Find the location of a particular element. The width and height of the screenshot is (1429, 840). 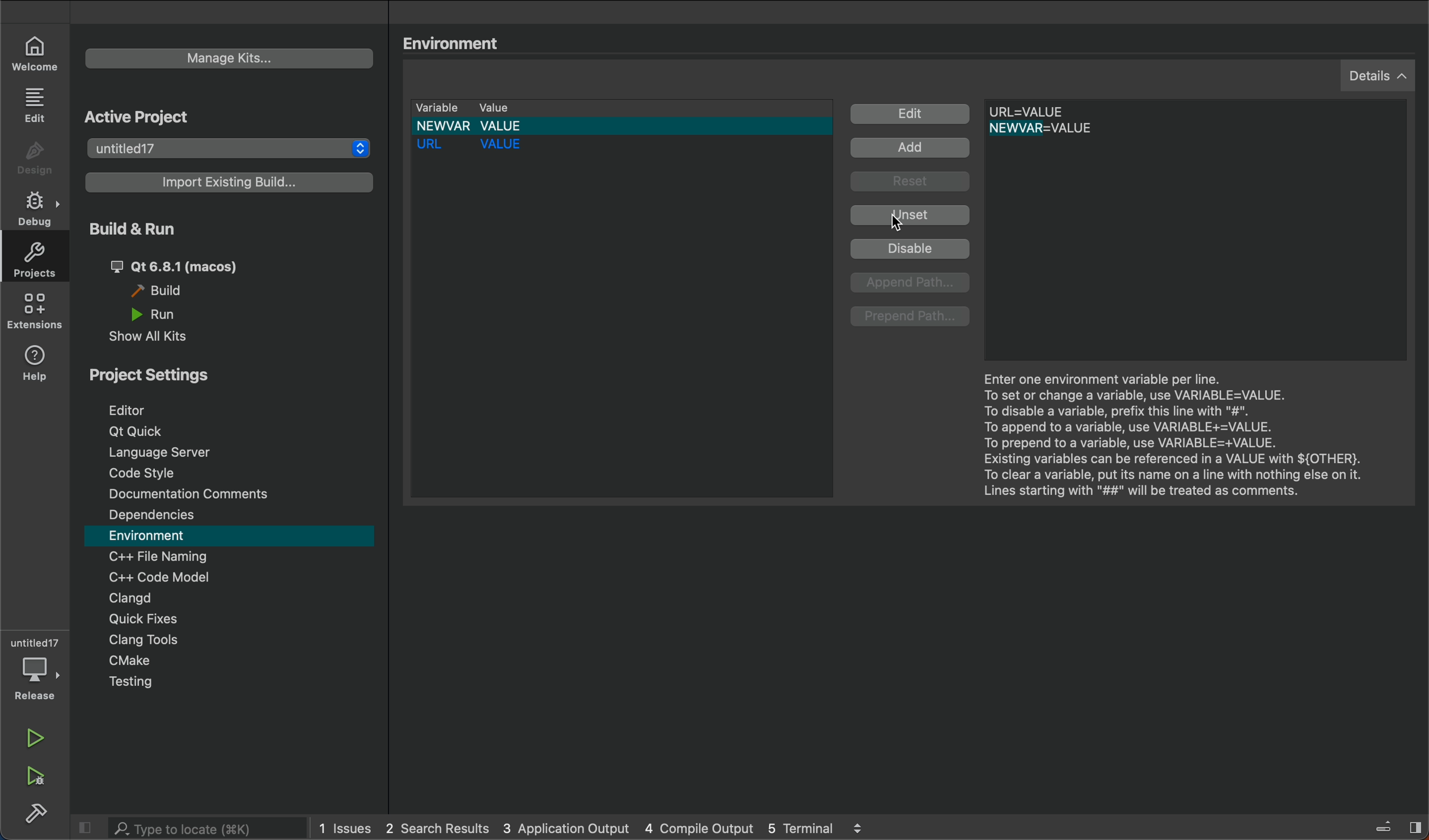

code style is located at coordinates (154, 473).